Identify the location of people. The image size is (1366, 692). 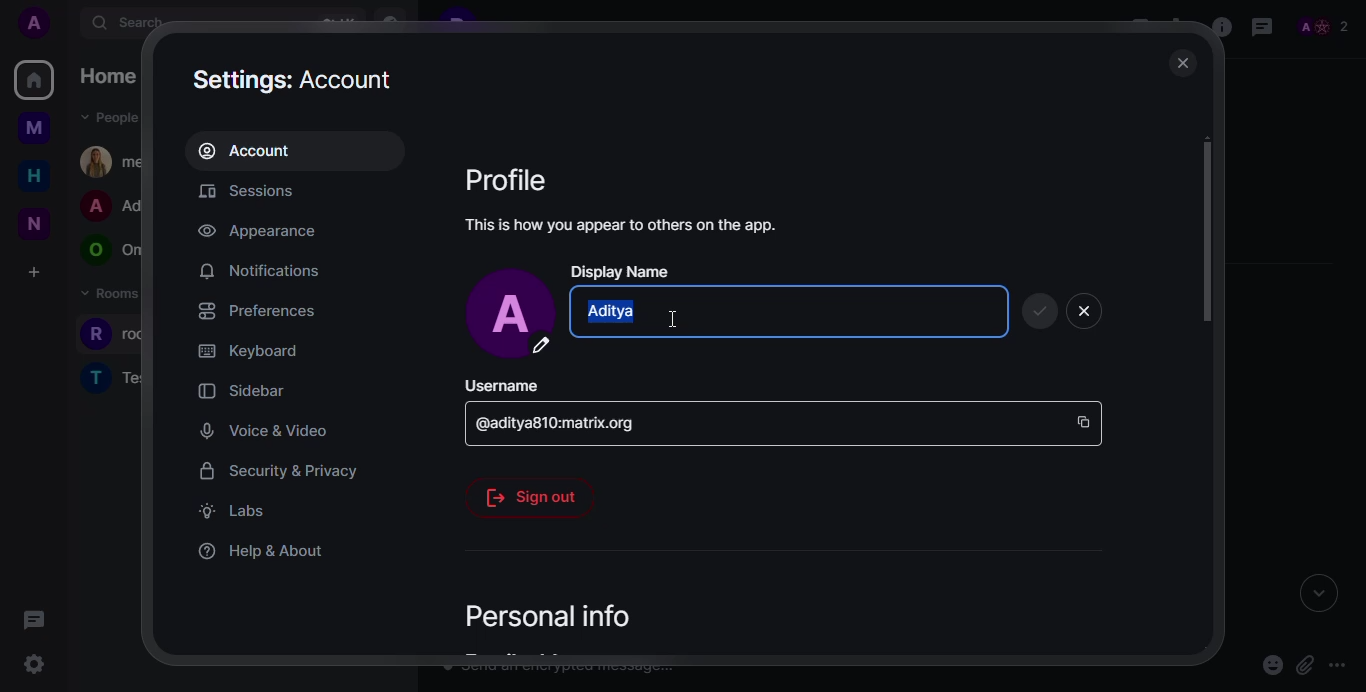
(112, 207).